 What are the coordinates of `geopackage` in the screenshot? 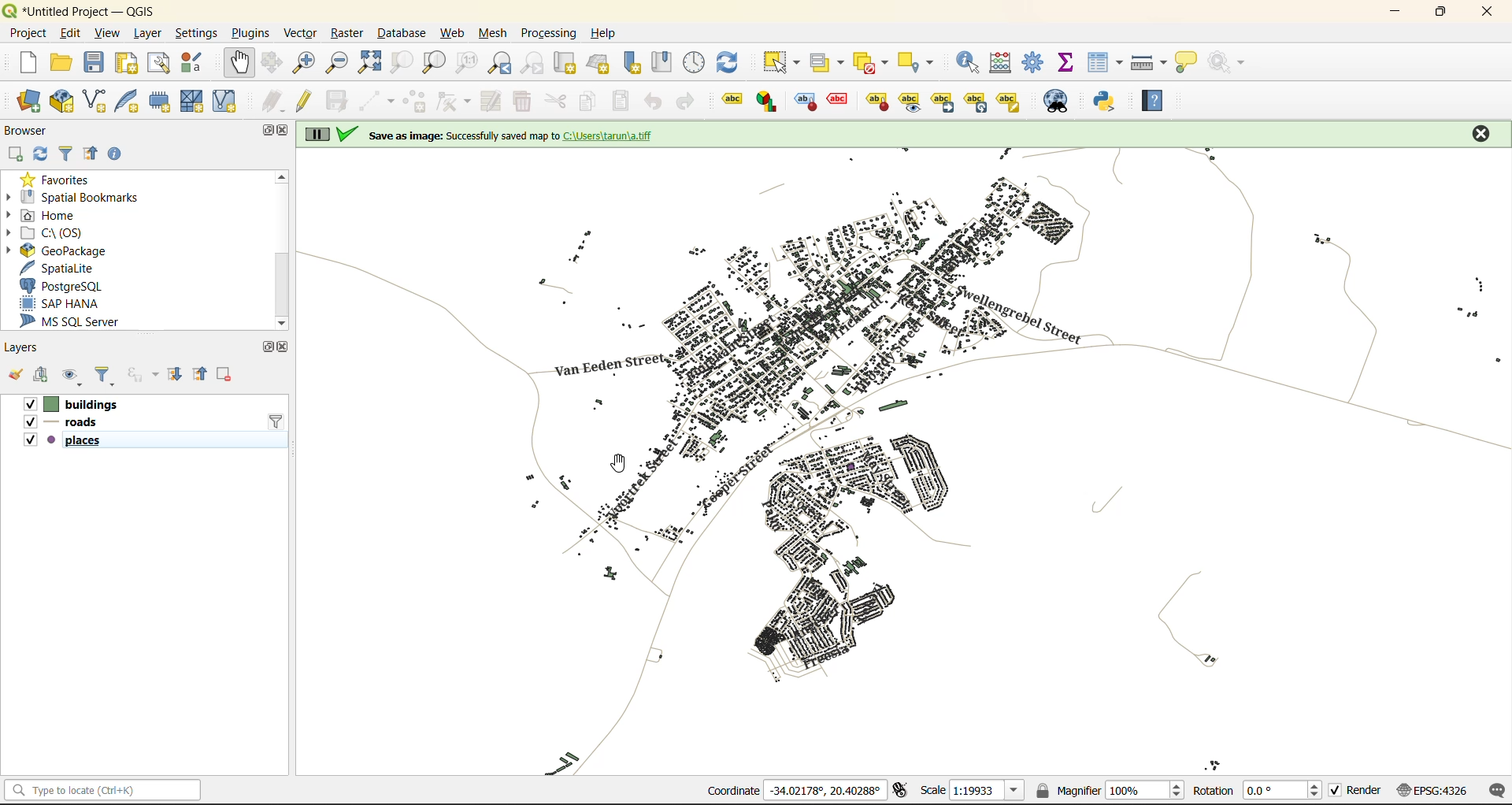 It's located at (61, 252).